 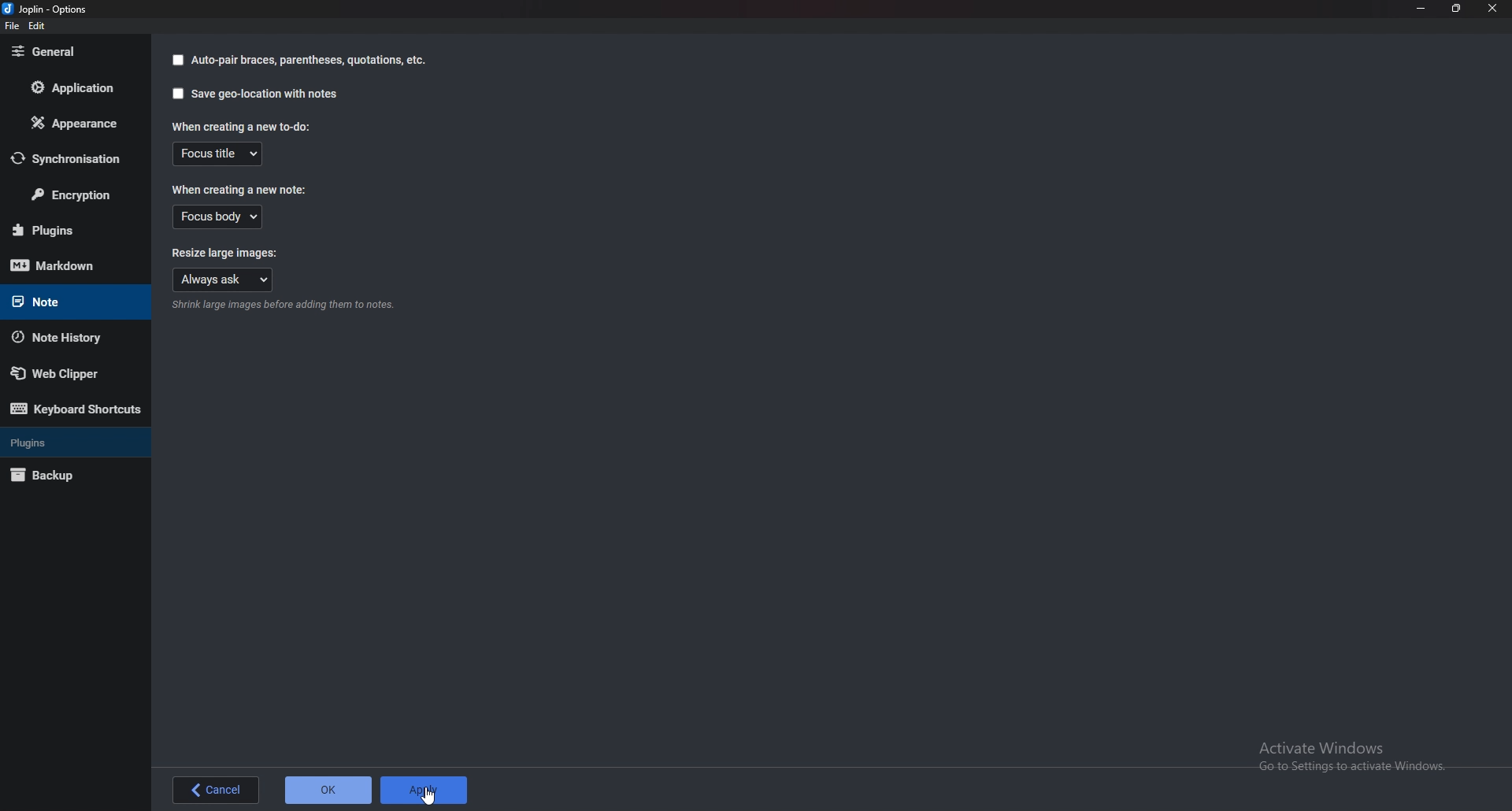 I want to click on Plugins, so click(x=69, y=230).